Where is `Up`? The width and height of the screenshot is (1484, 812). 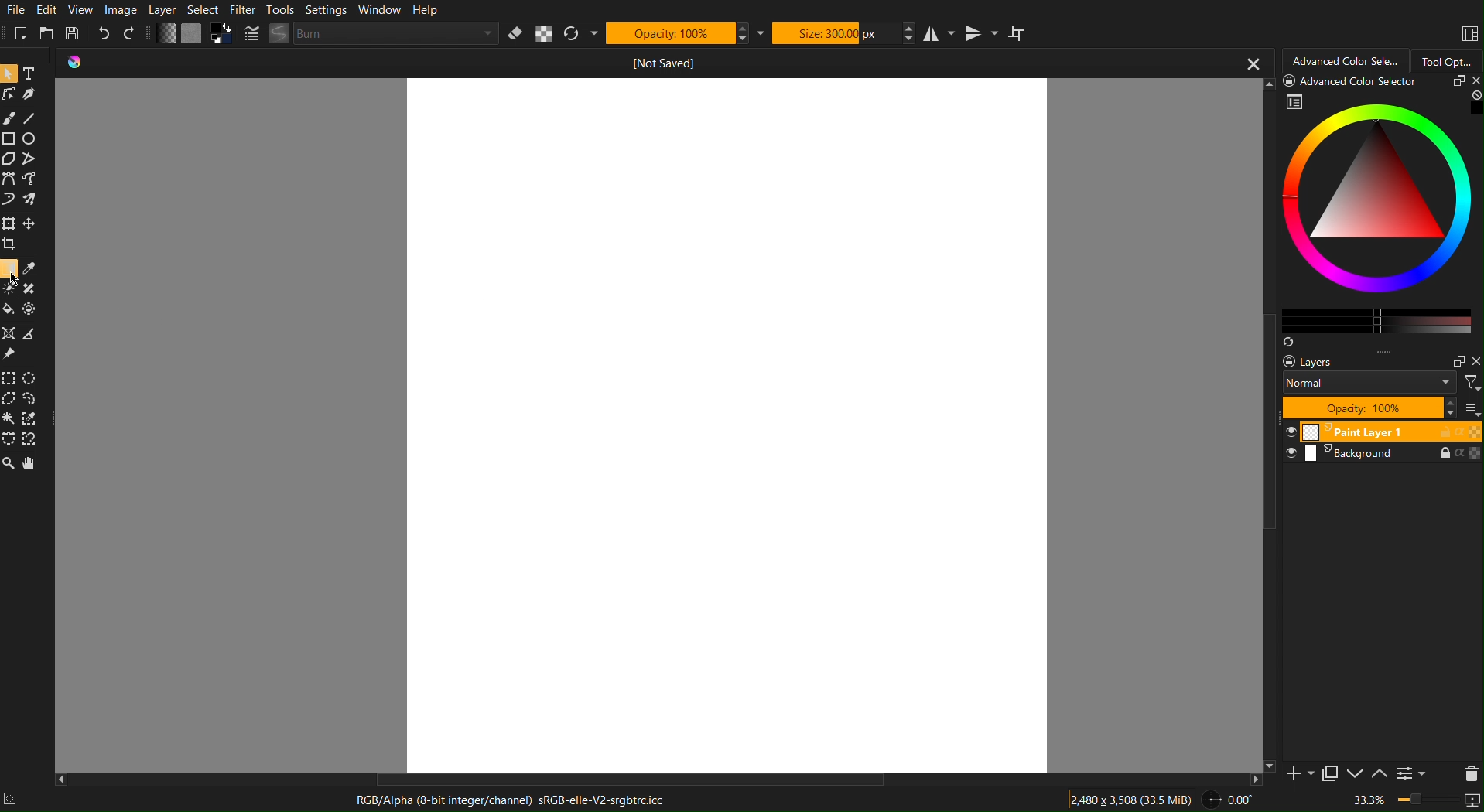 Up is located at coordinates (1378, 775).